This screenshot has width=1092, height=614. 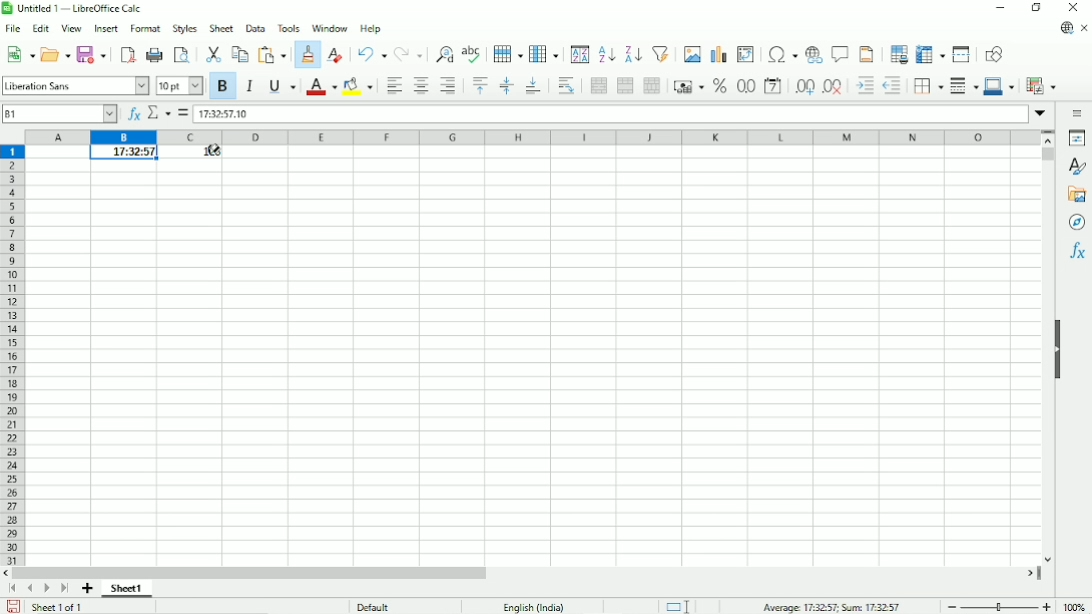 What do you see at coordinates (443, 53) in the screenshot?
I see `Find and replace` at bounding box center [443, 53].